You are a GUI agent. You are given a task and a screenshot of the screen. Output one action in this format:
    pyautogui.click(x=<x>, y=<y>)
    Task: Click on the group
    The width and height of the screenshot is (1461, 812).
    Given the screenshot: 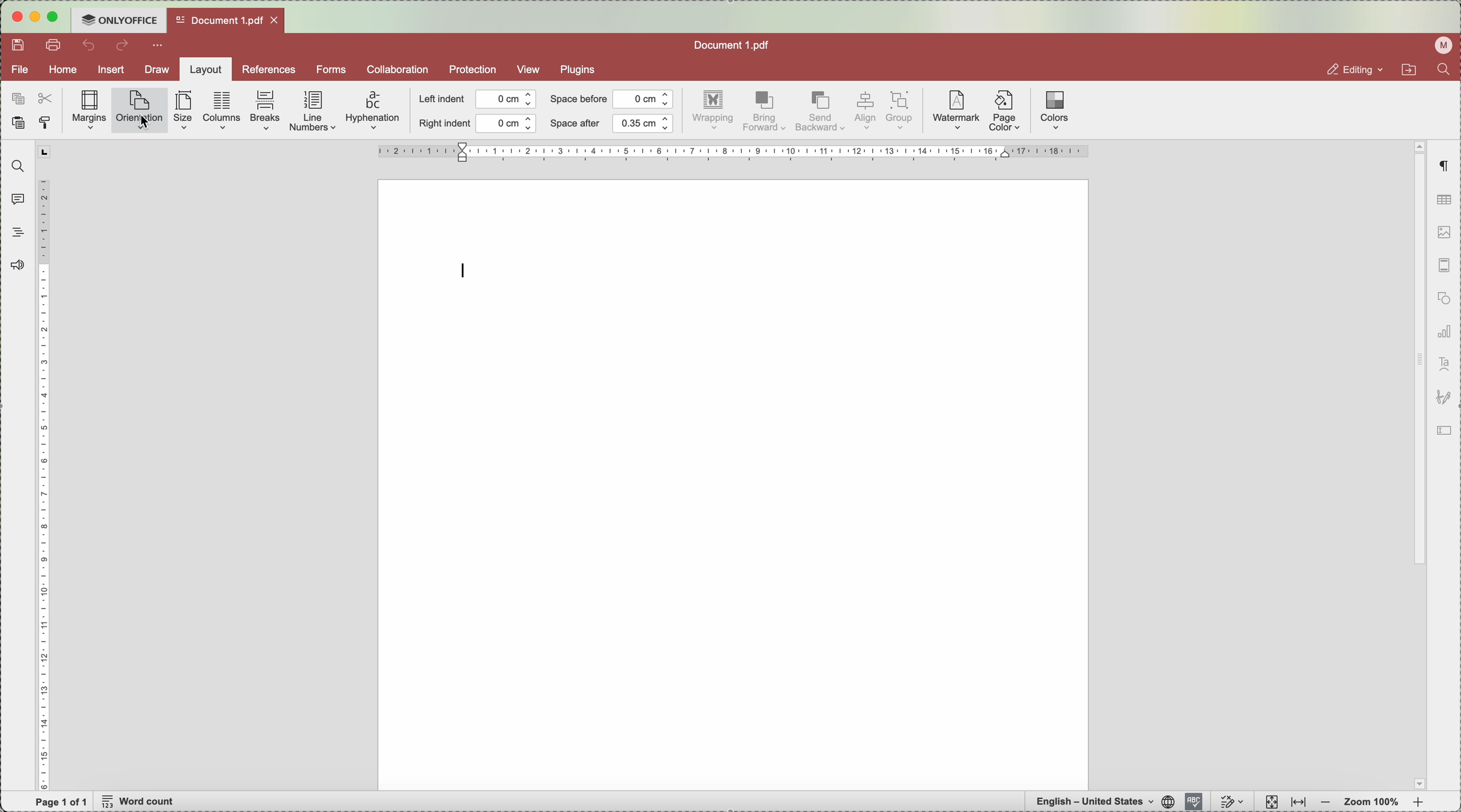 What is the action you would take?
    pyautogui.click(x=902, y=111)
    